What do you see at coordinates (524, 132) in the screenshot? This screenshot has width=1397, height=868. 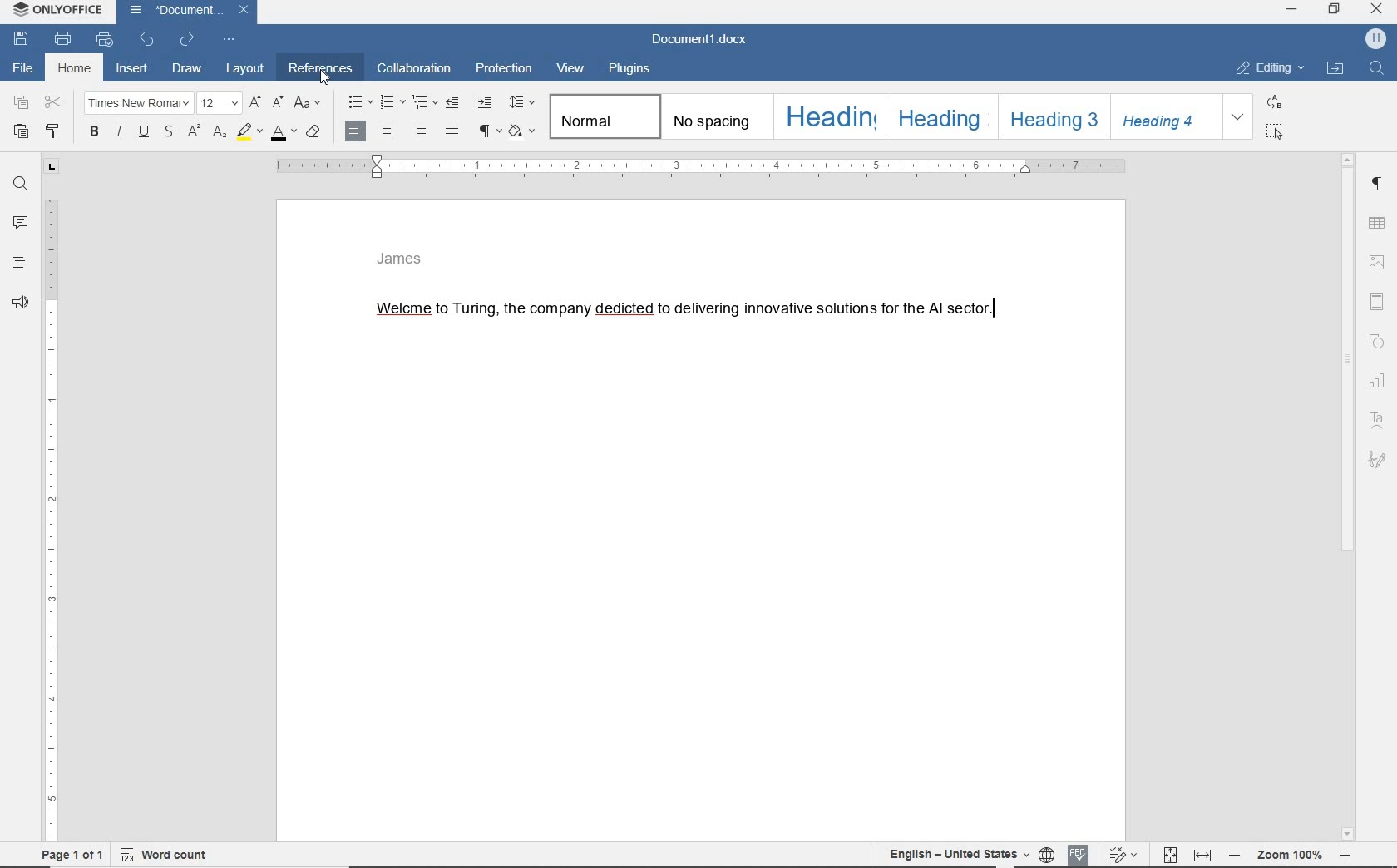 I see `shading` at bounding box center [524, 132].